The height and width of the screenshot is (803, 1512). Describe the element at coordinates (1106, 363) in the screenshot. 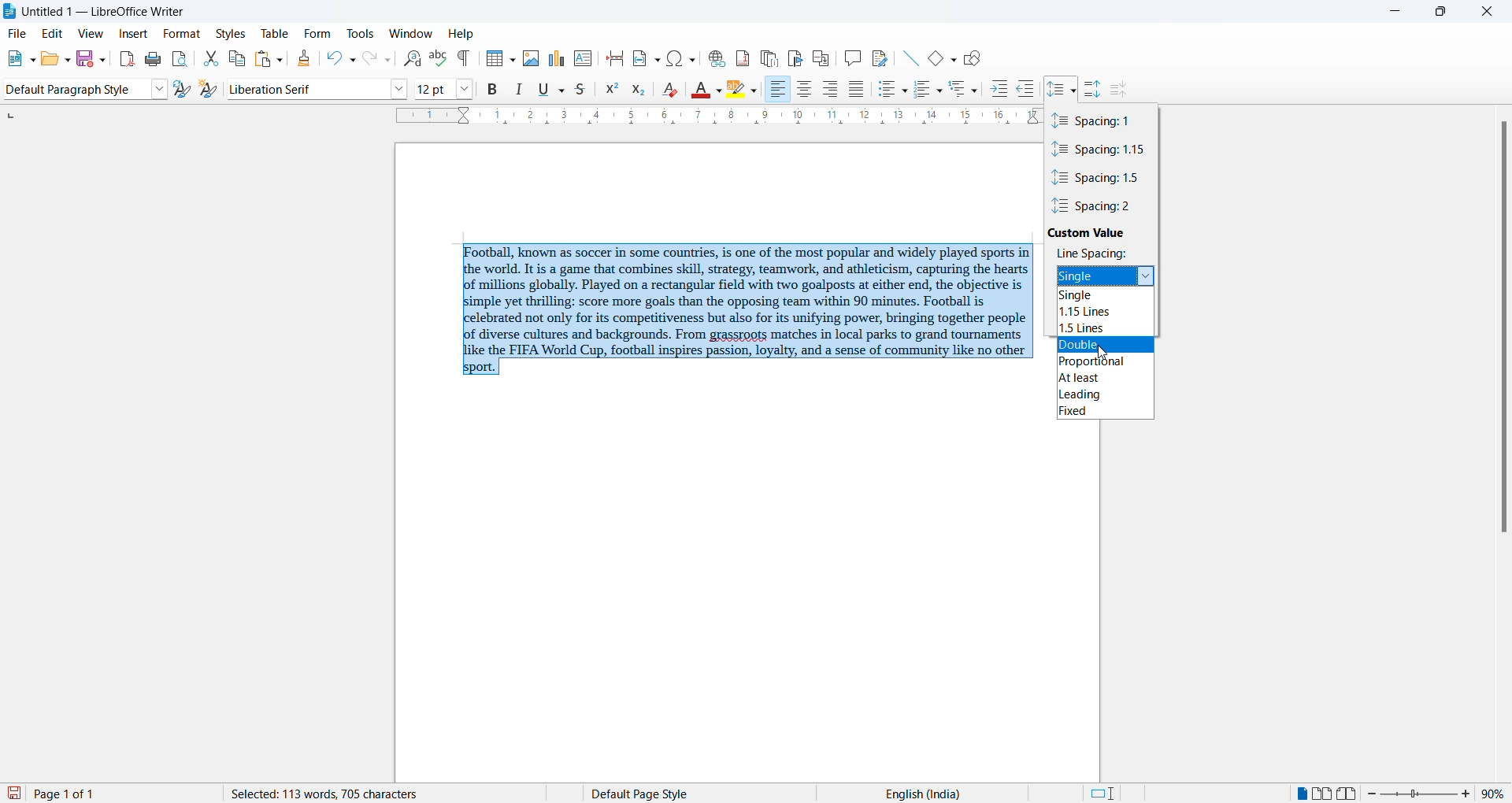

I see `proportional` at that location.